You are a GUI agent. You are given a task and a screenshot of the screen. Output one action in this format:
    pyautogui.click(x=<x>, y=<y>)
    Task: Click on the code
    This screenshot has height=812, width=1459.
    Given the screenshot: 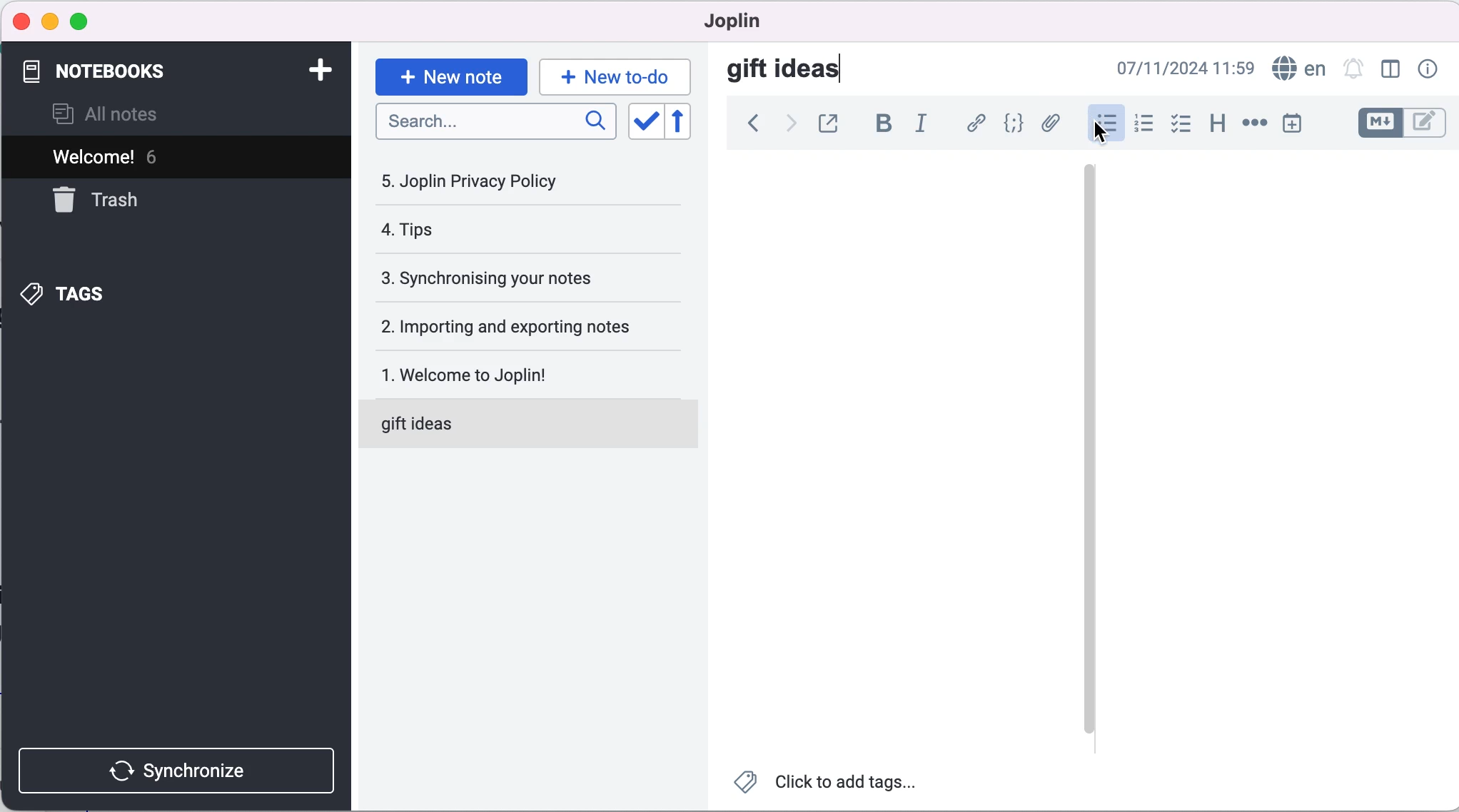 What is the action you would take?
    pyautogui.click(x=1014, y=123)
    